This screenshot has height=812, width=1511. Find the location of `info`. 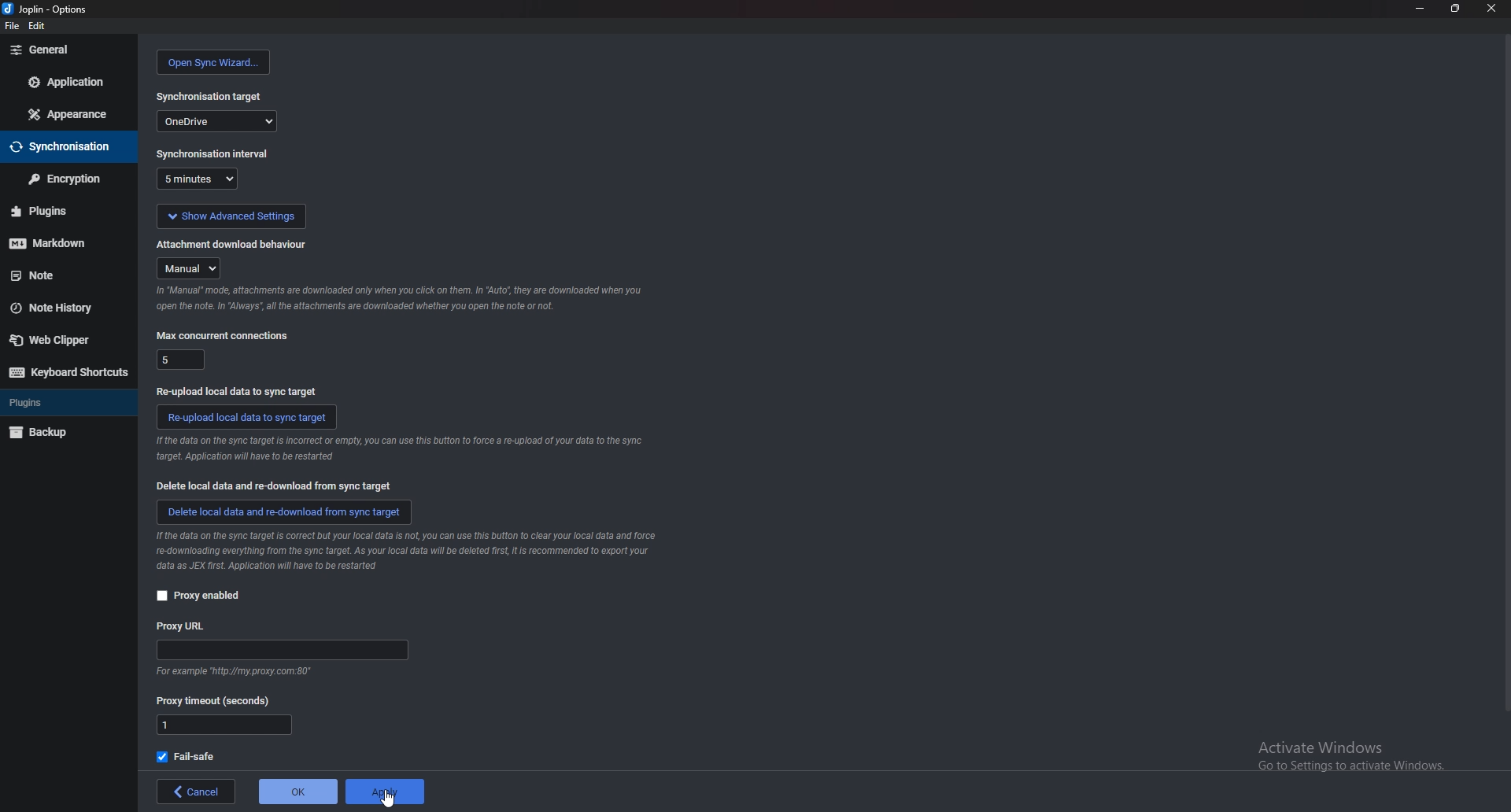

info is located at coordinates (403, 299).